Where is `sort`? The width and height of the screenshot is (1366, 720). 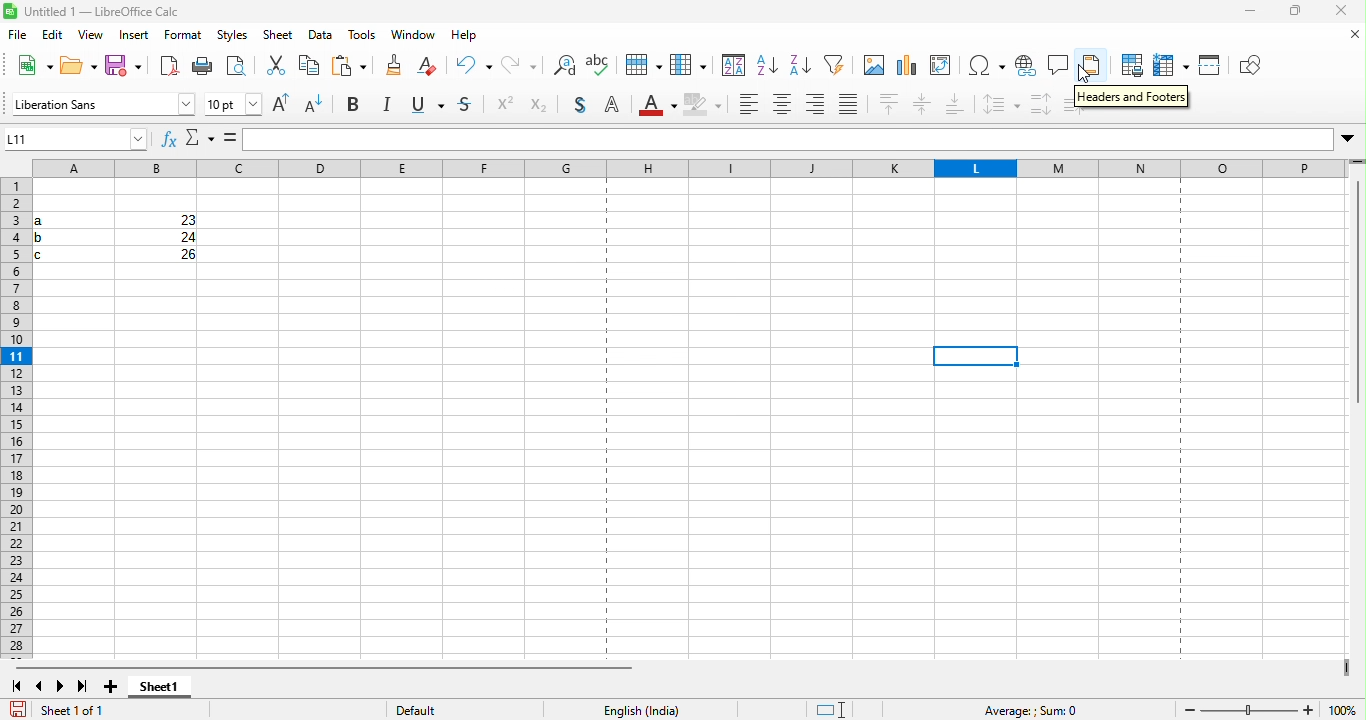 sort is located at coordinates (689, 65).